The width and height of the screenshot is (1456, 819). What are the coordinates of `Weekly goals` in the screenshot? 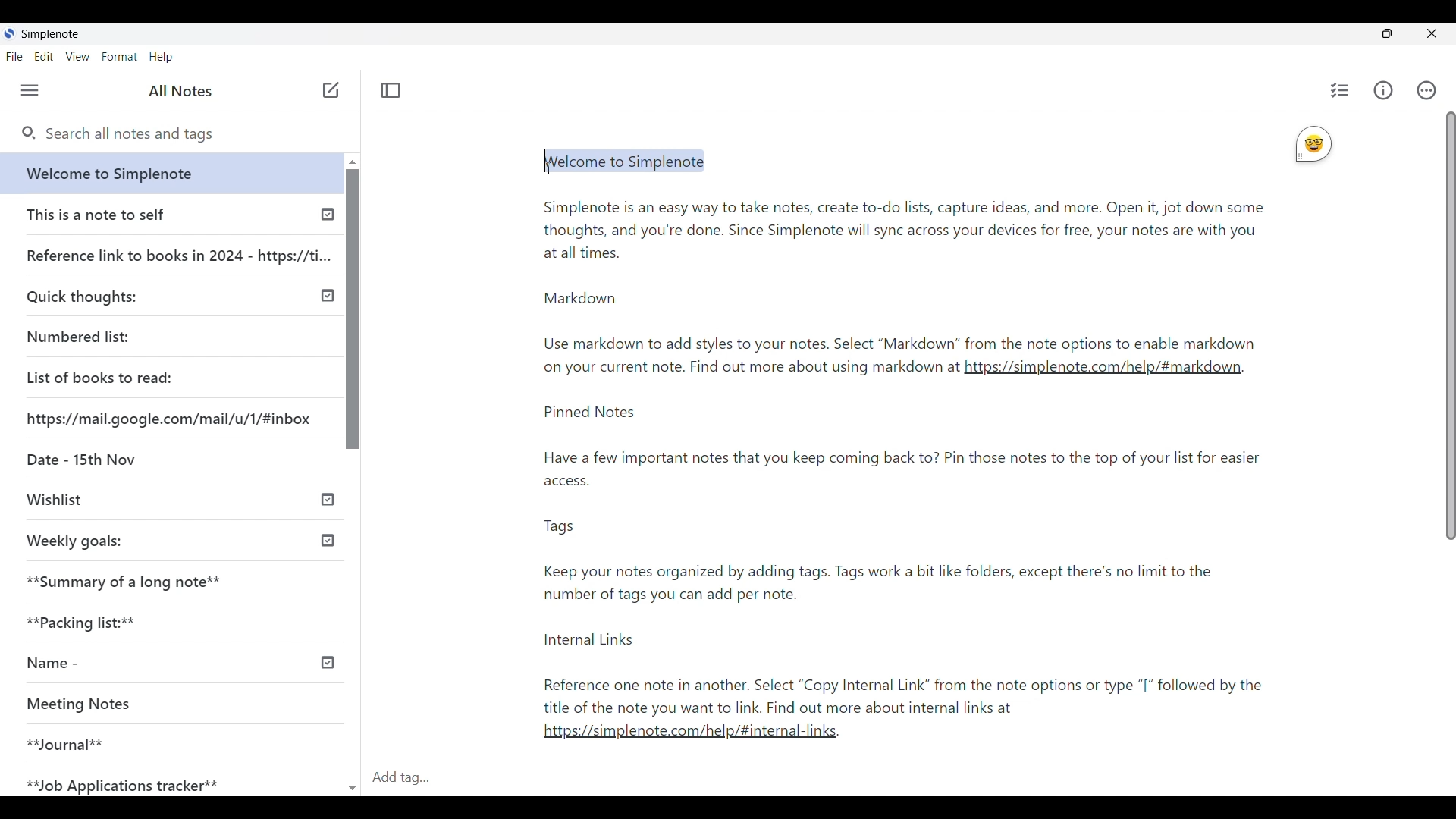 It's located at (75, 541).